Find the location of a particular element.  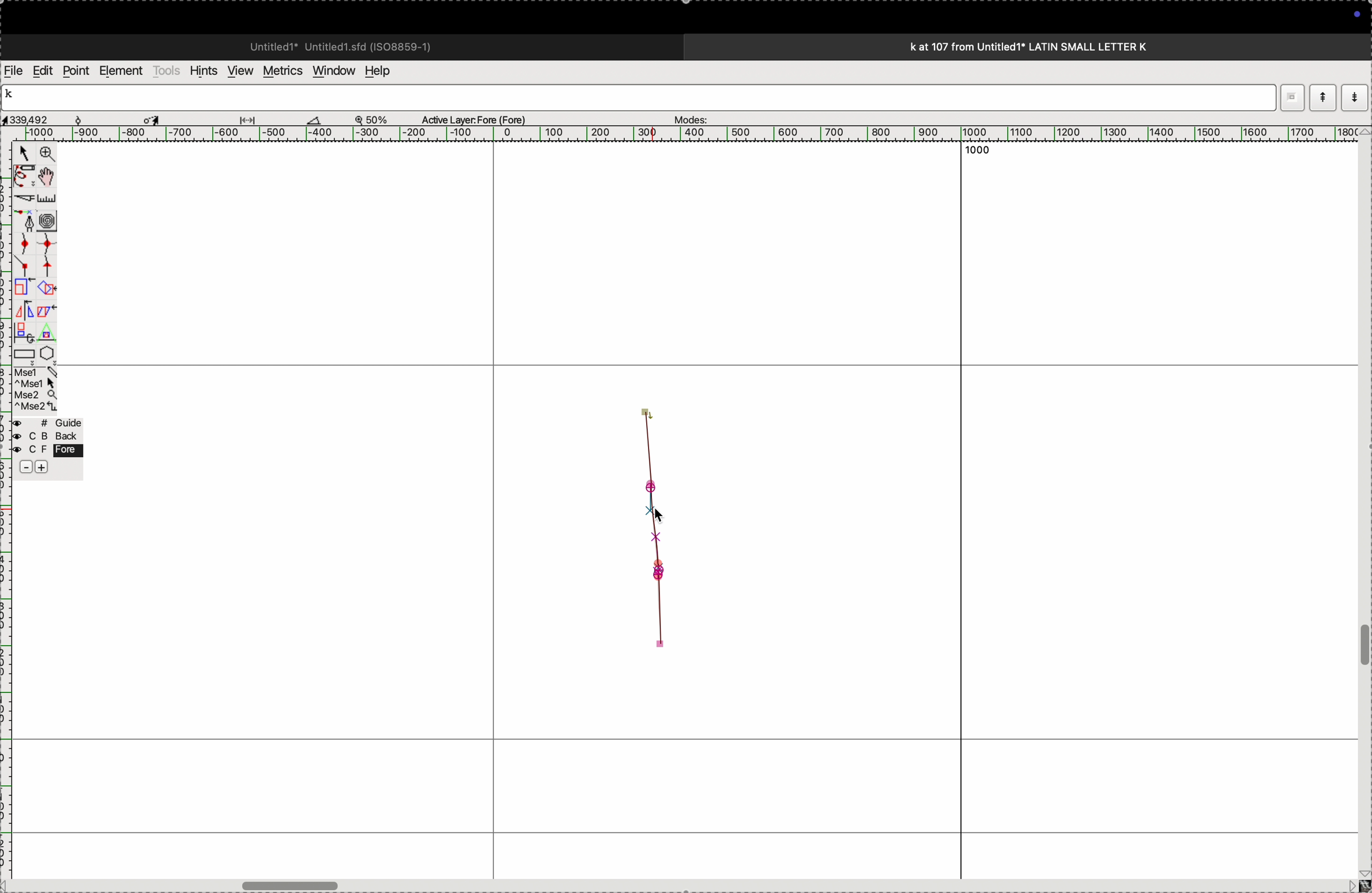

horizontal scale is located at coordinates (673, 134).